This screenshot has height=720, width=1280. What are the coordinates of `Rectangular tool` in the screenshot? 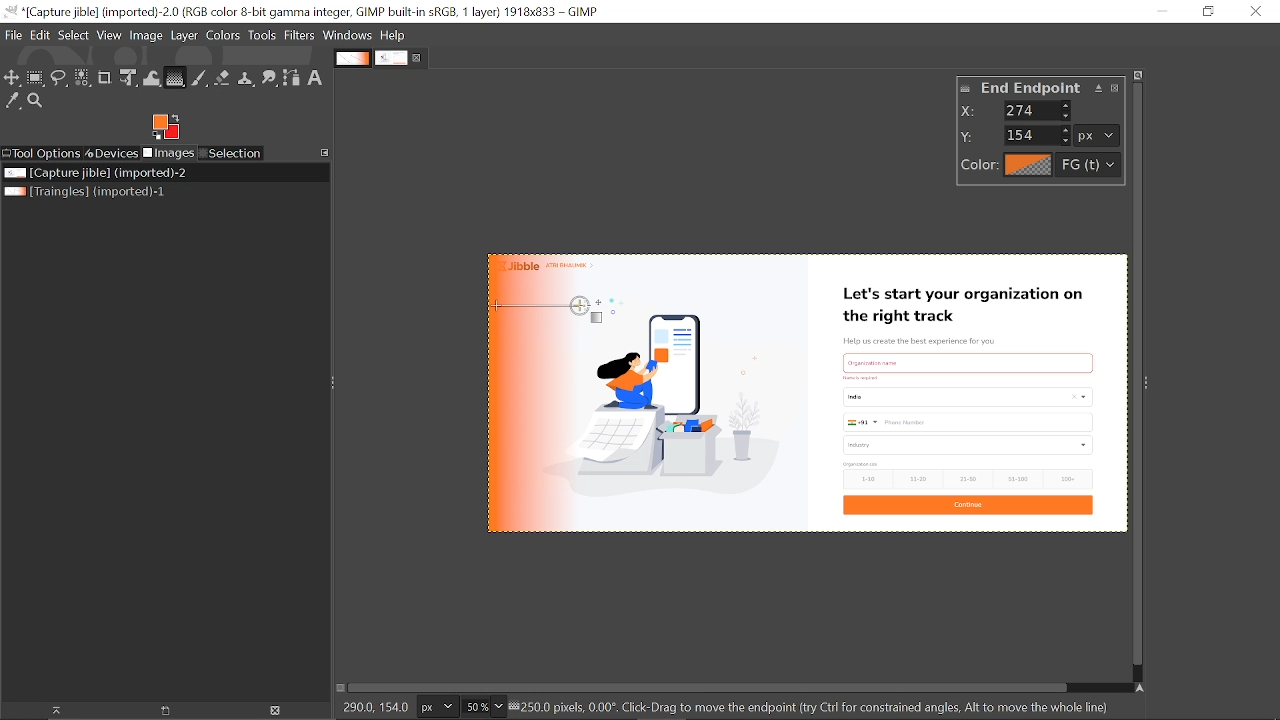 It's located at (37, 80).